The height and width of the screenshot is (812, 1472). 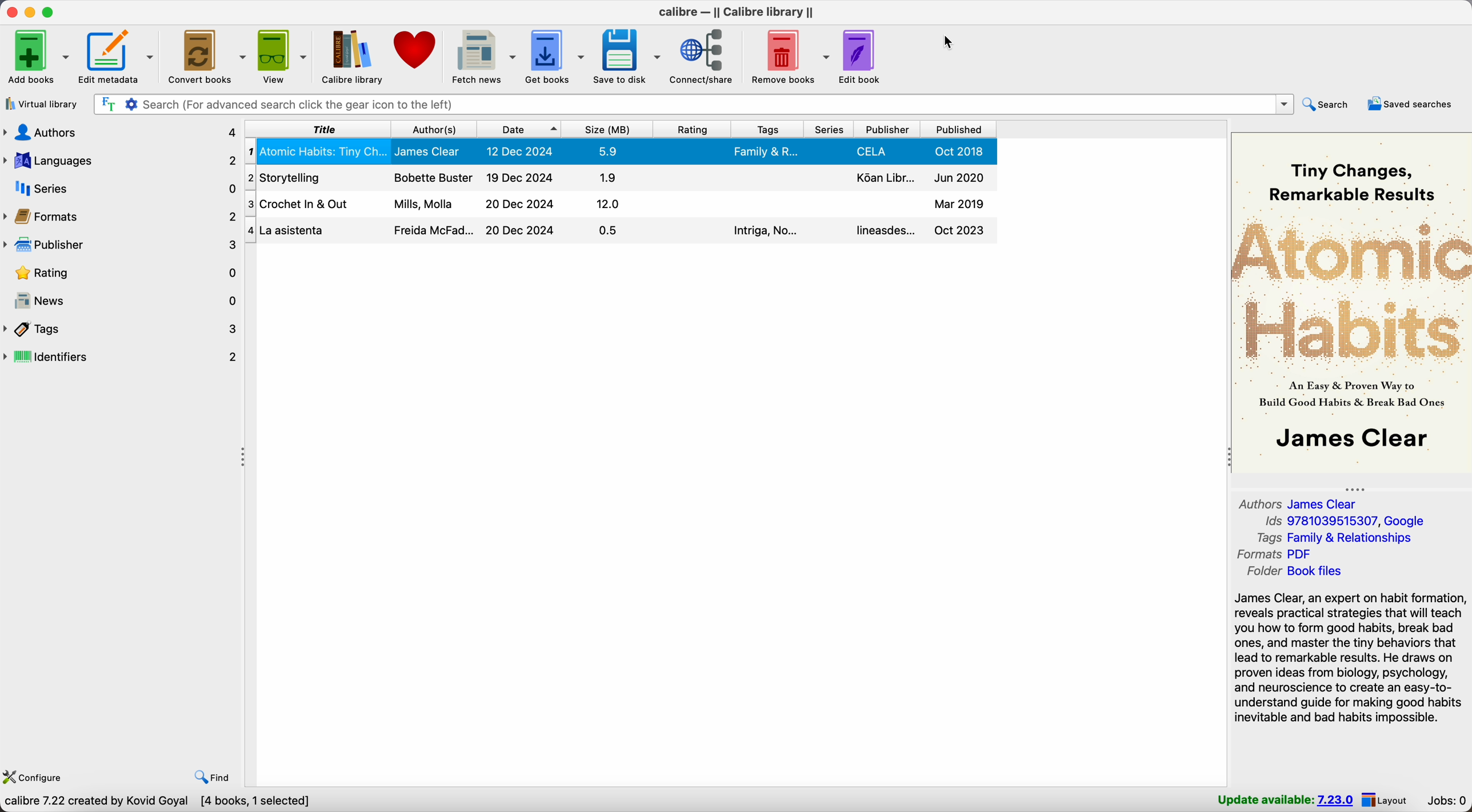 I want to click on save to disk, so click(x=626, y=55).